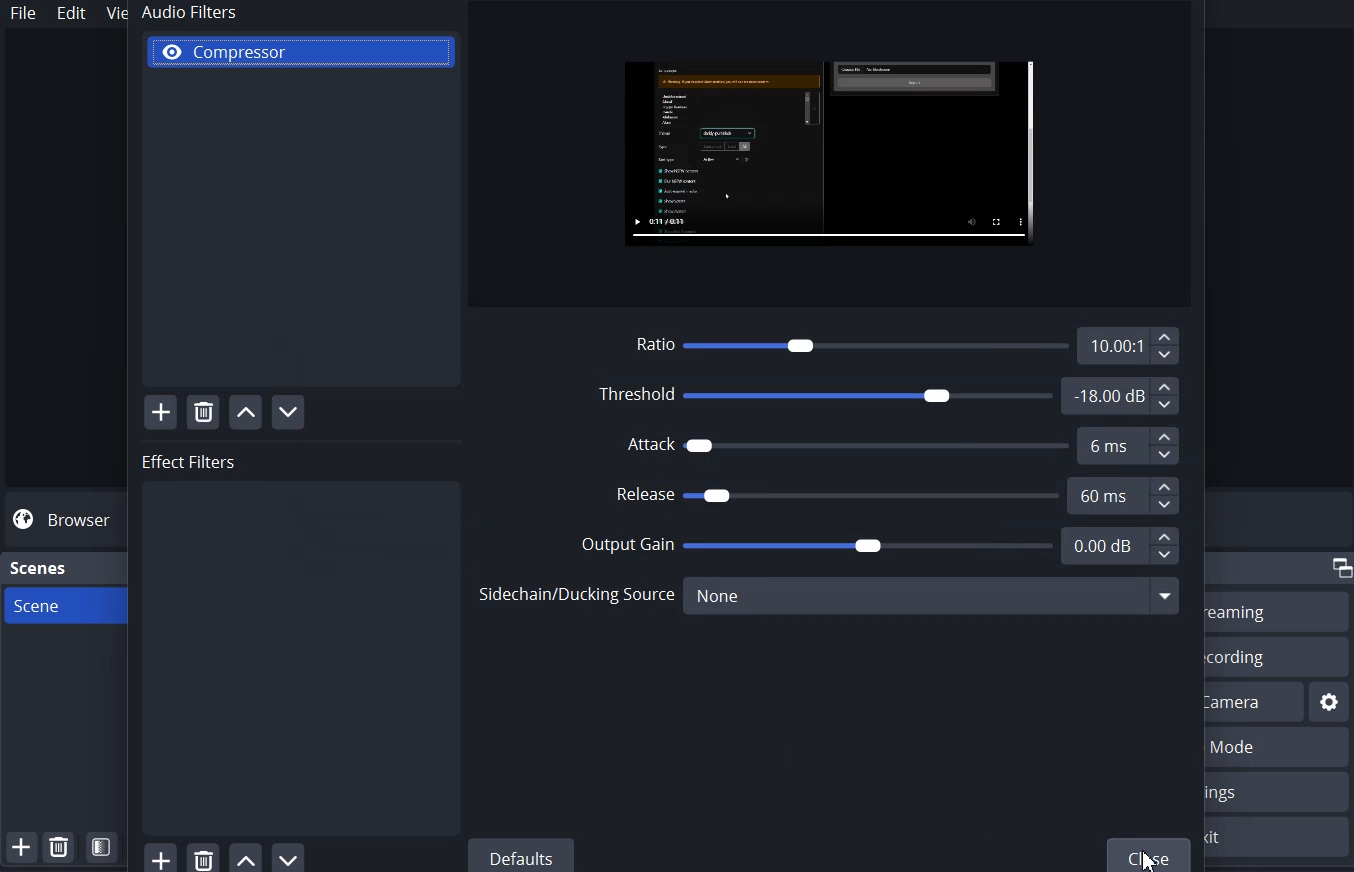 The image size is (1354, 872). I want to click on Audio Filters, so click(297, 16).